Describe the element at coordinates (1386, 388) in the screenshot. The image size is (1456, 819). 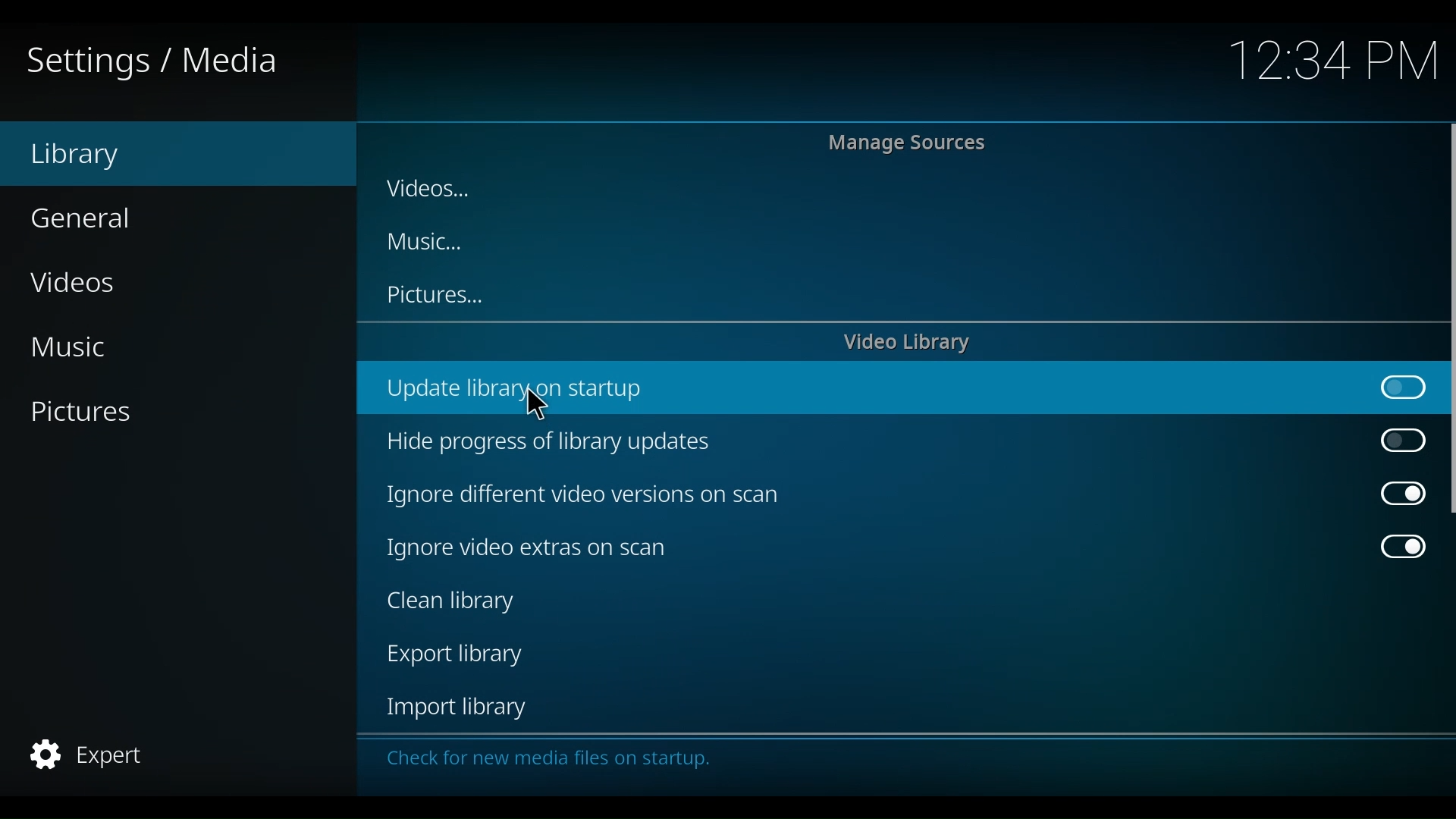
I see `Toggle on/off update library on startup` at that location.